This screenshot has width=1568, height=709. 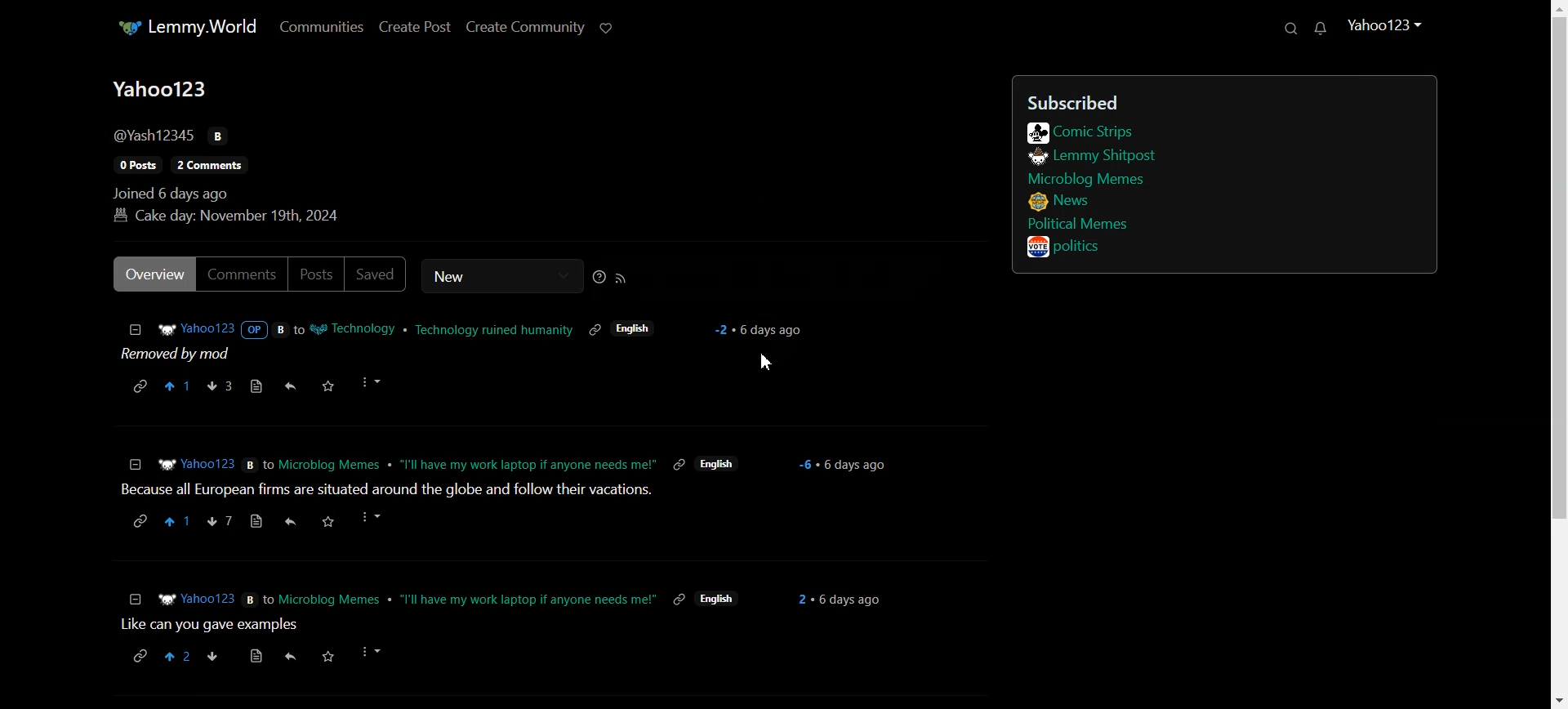 What do you see at coordinates (546, 1132) in the screenshot?
I see `A` at bounding box center [546, 1132].